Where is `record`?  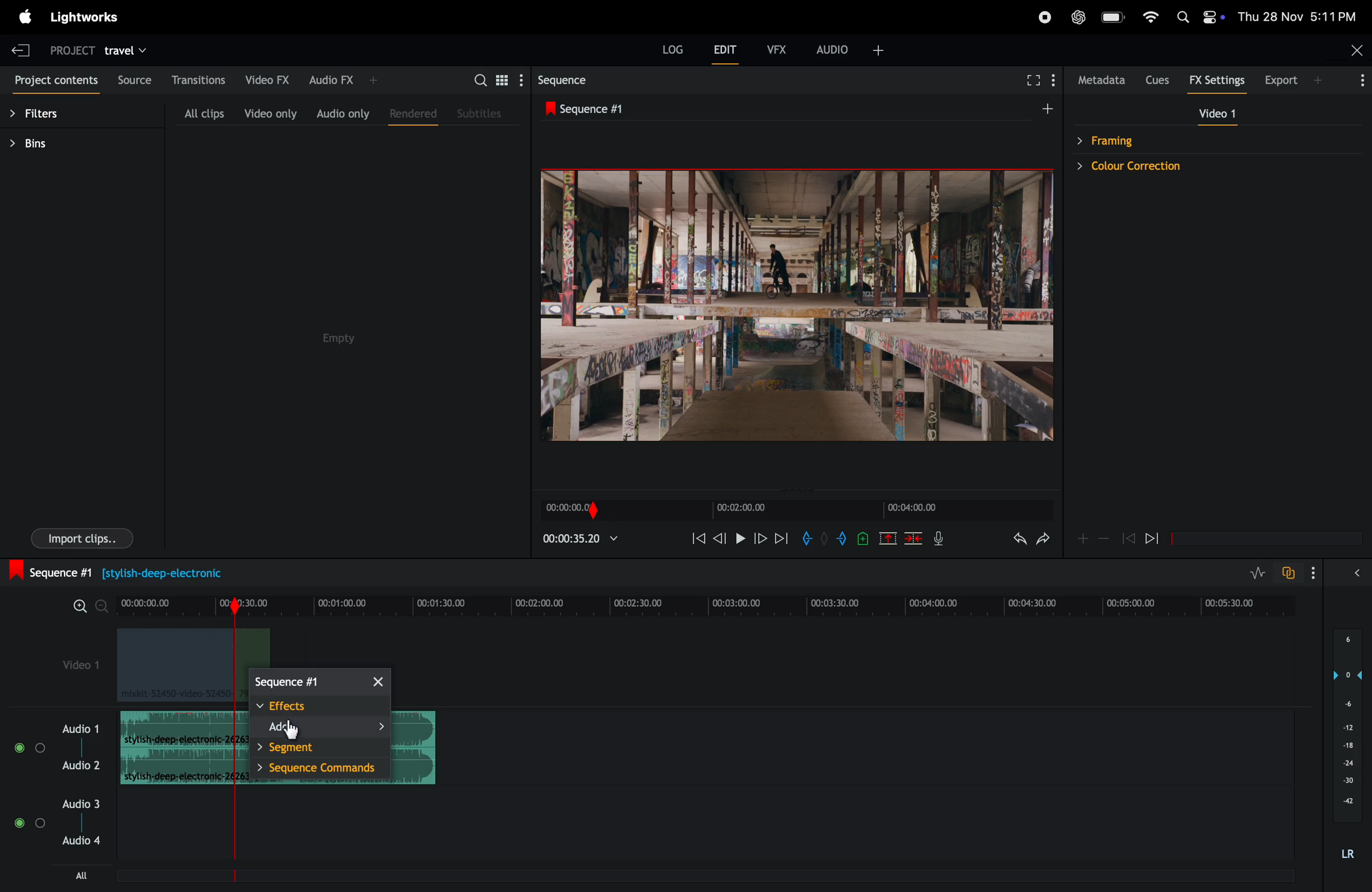 record is located at coordinates (1044, 18).